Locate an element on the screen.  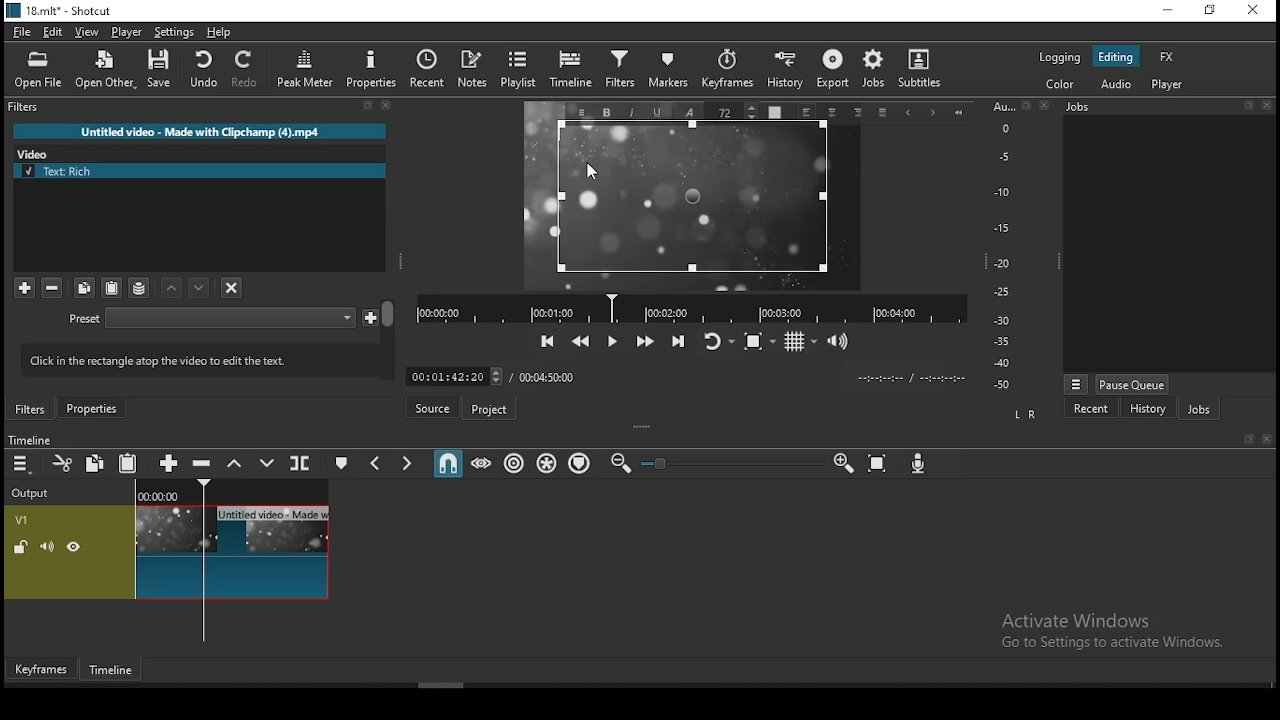
text box is located at coordinates (693, 199).